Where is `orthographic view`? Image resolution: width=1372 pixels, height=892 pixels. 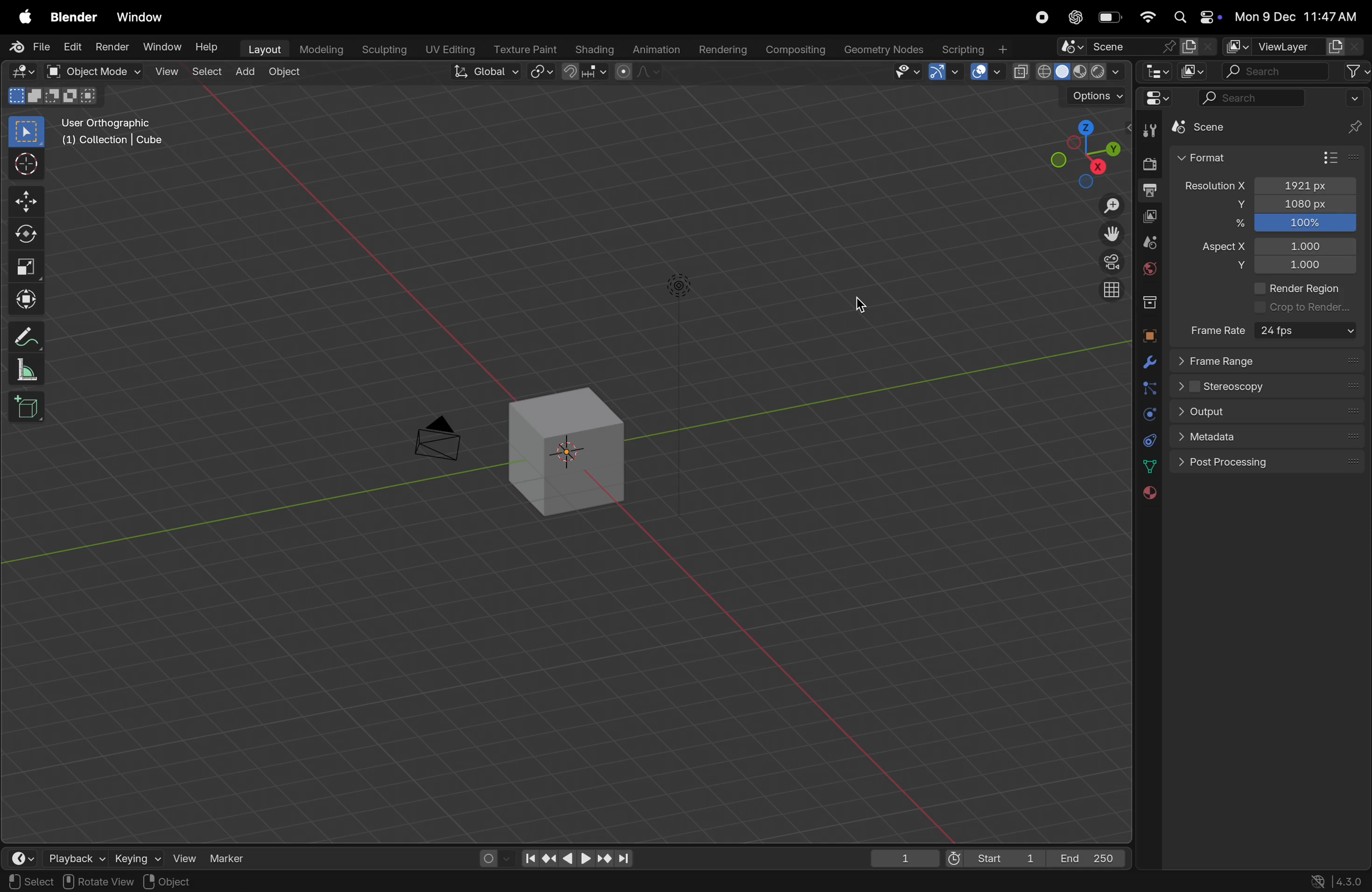
orthographic view is located at coordinates (1109, 291).